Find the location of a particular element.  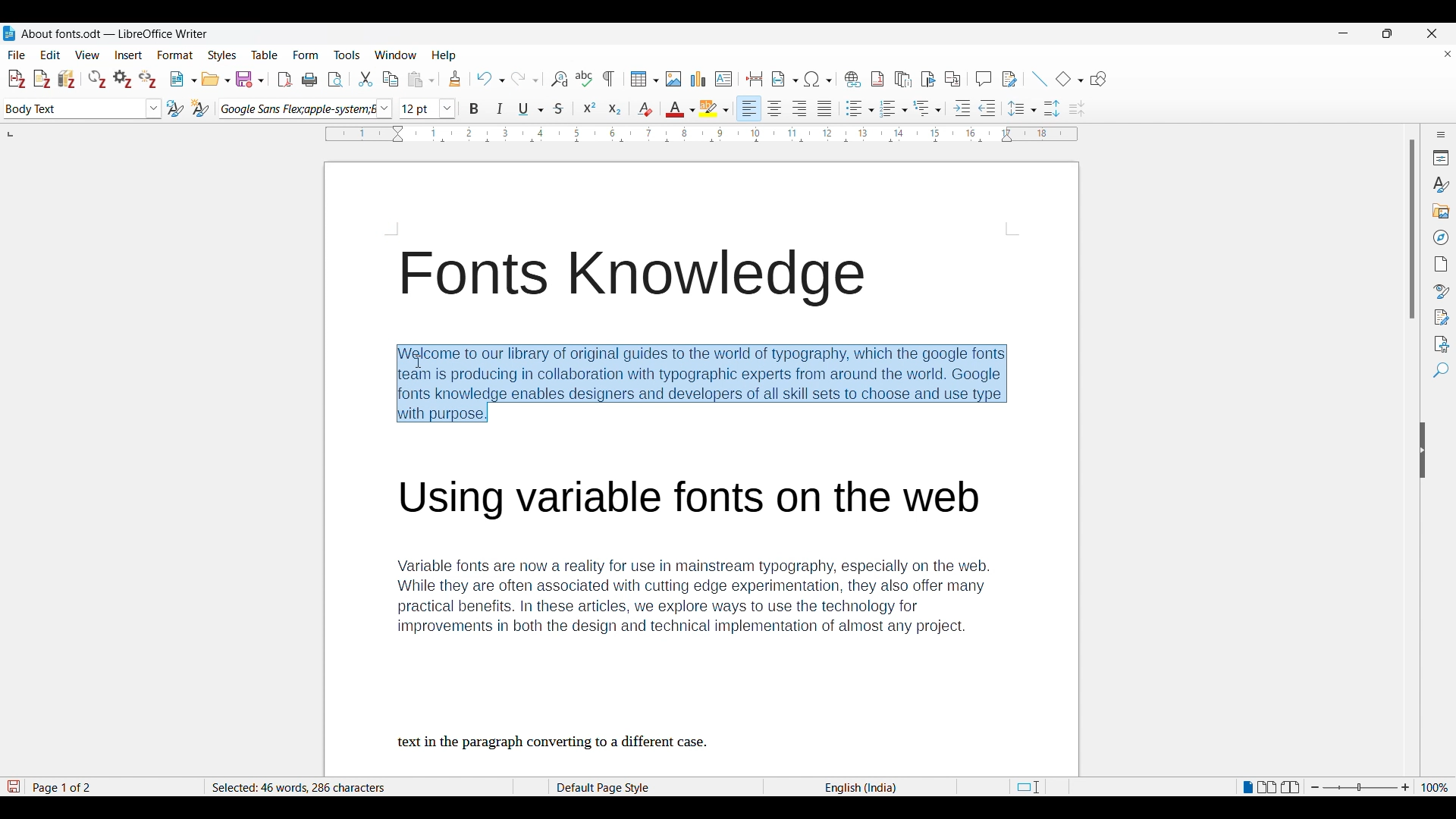

Insert cross-reference is located at coordinates (952, 79).